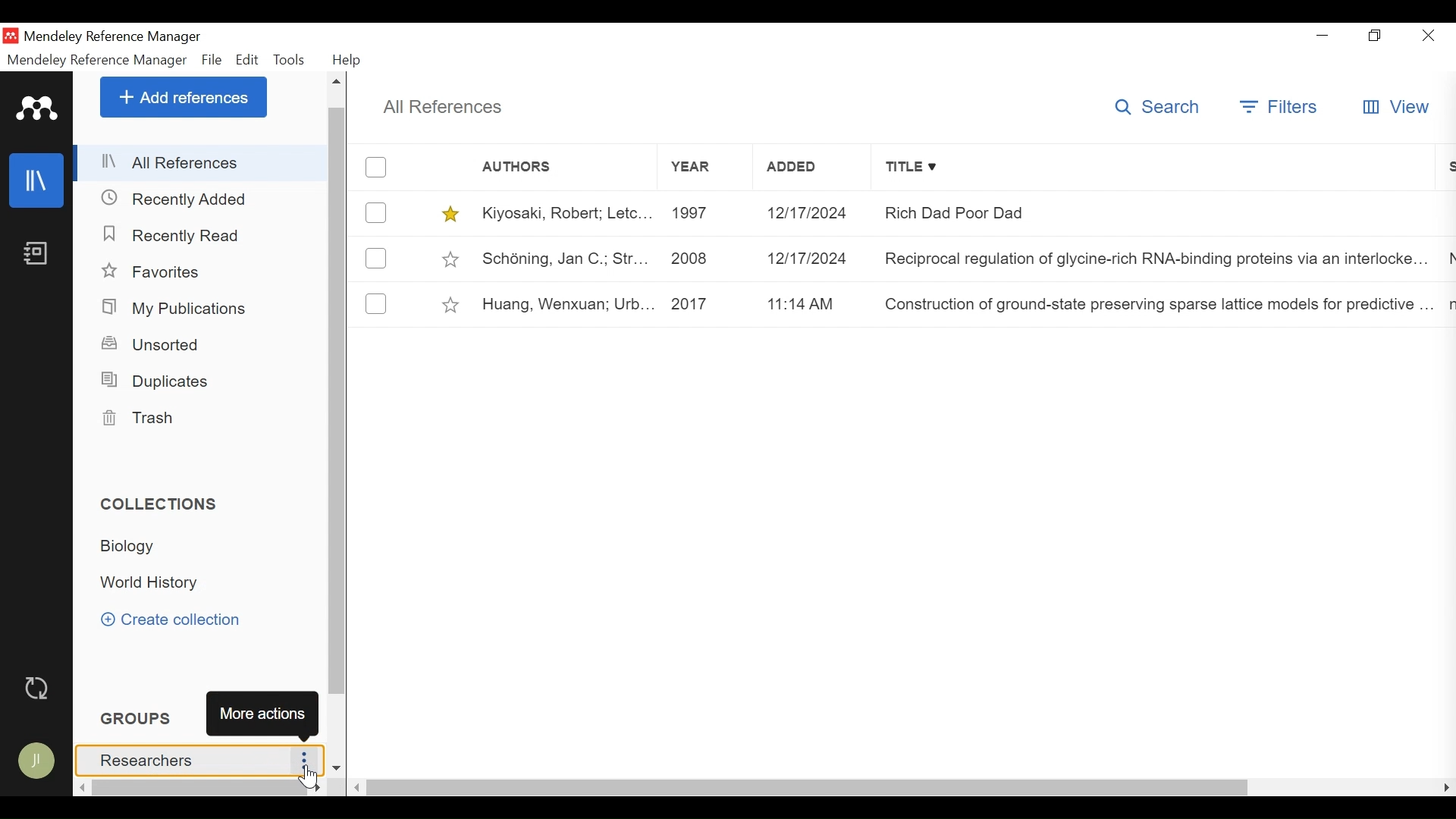 Image resolution: width=1456 pixels, height=819 pixels. What do you see at coordinates (812, 213) in the screenshot?
I see `12/12/2024` at bounding box center [812, 213].